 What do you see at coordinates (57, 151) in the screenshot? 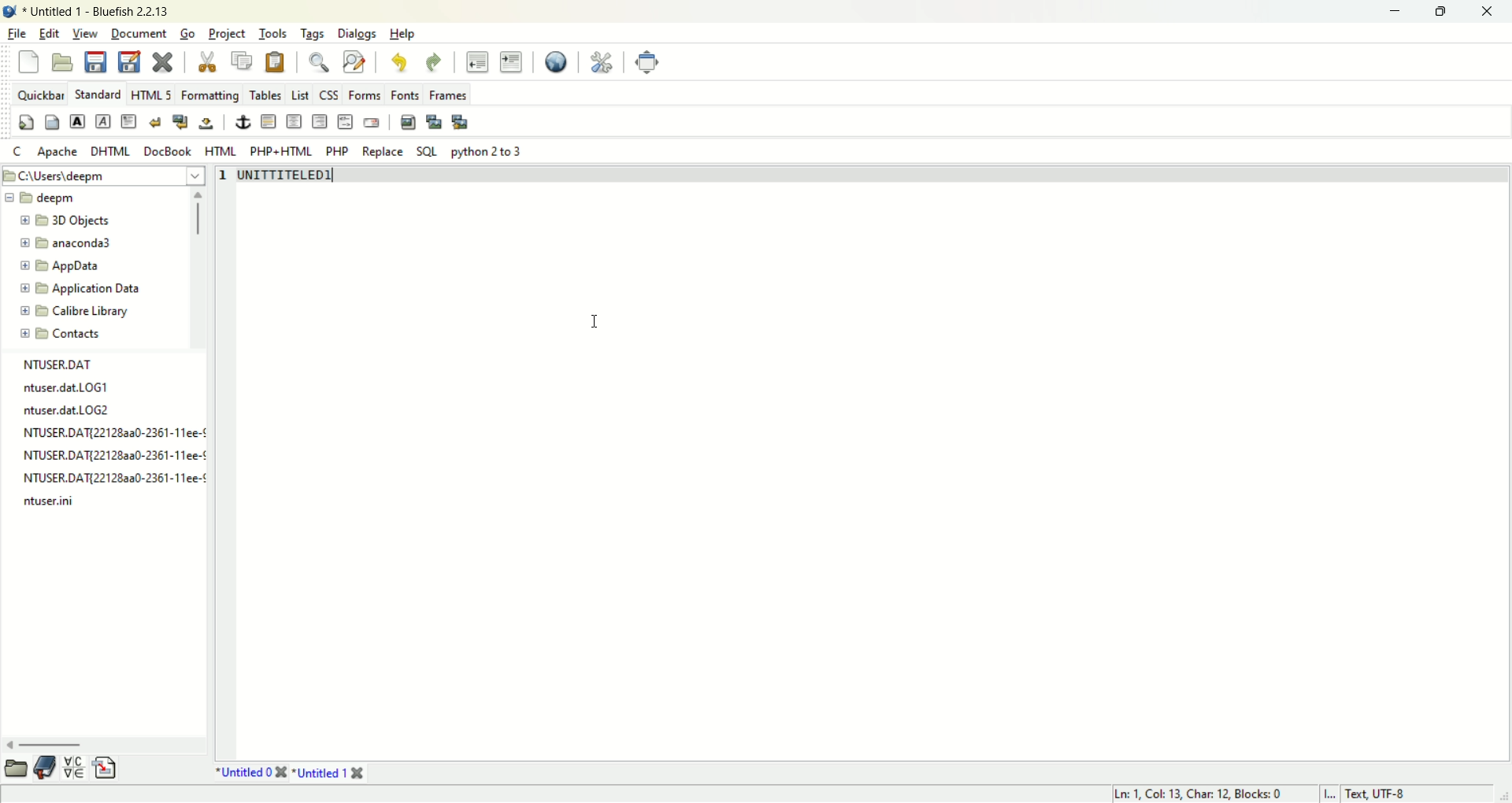
I see `Apache` at bounding box center [57, 151].